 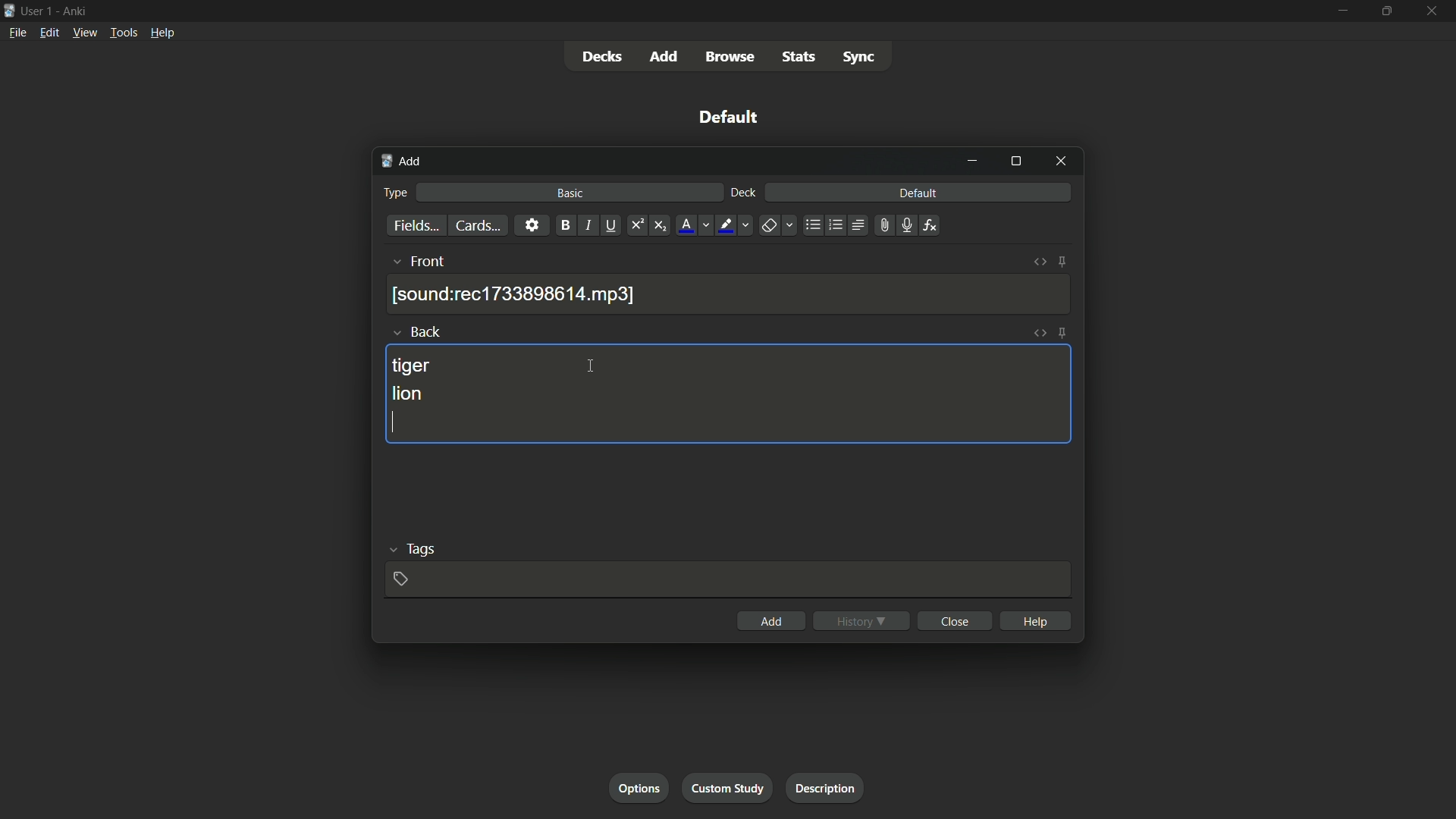 What do you see at coordinates (412, 395) in the screenshot?
I see `lion` at bounding box center [412, 395].